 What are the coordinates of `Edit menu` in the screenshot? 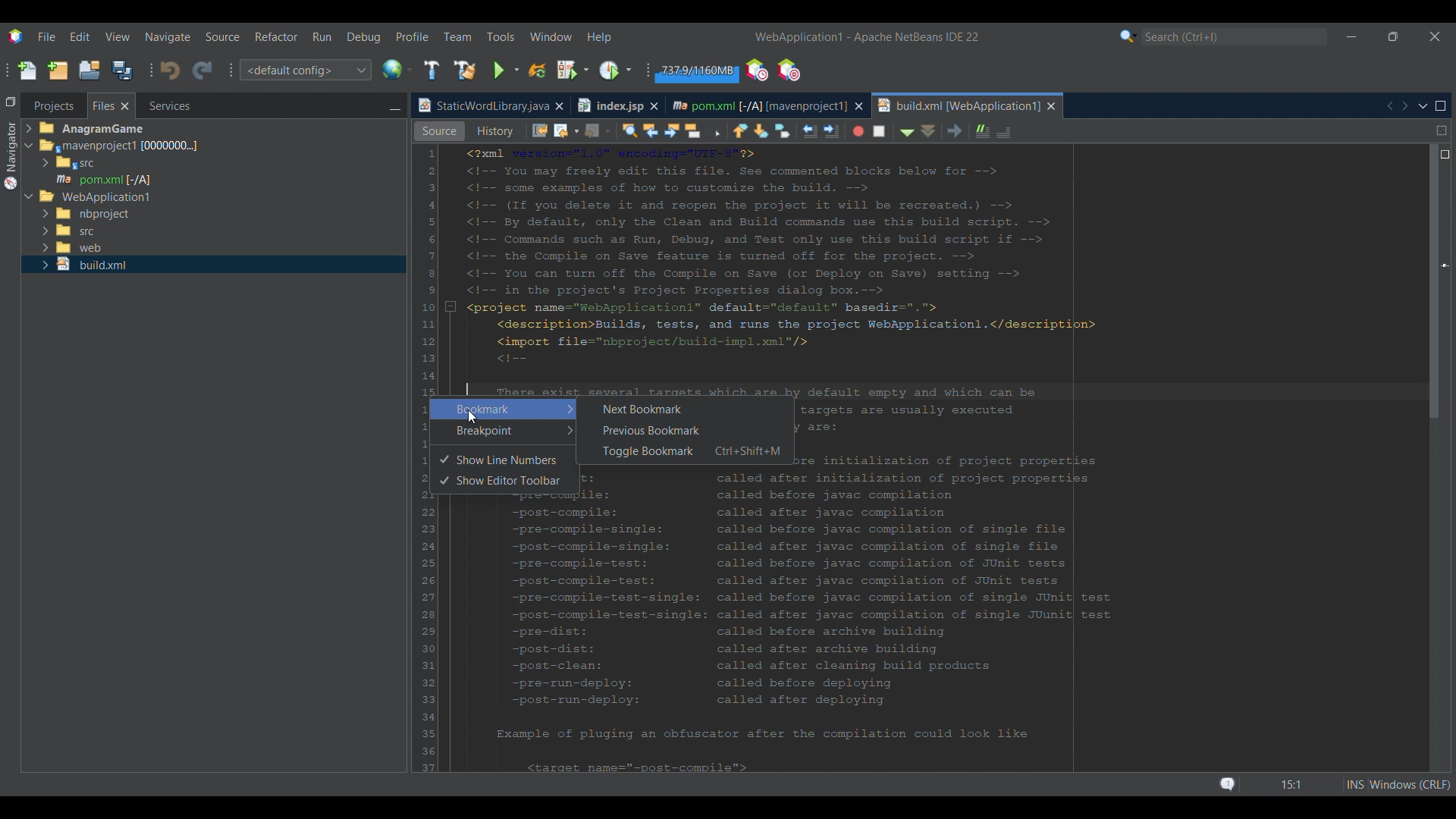 It's located at (80, 36).